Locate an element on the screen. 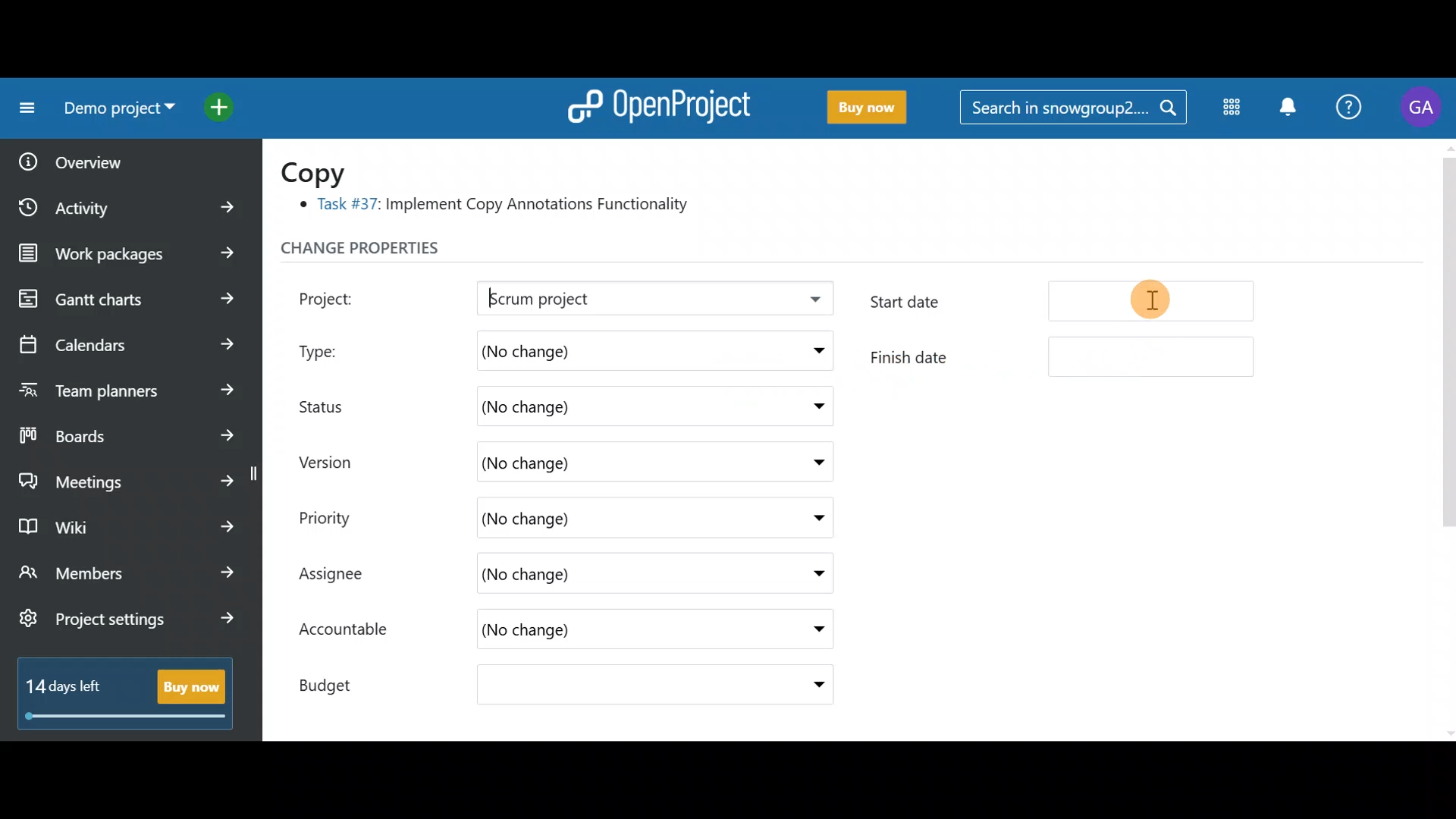  Version drop down is located at coordinates (811, 461).